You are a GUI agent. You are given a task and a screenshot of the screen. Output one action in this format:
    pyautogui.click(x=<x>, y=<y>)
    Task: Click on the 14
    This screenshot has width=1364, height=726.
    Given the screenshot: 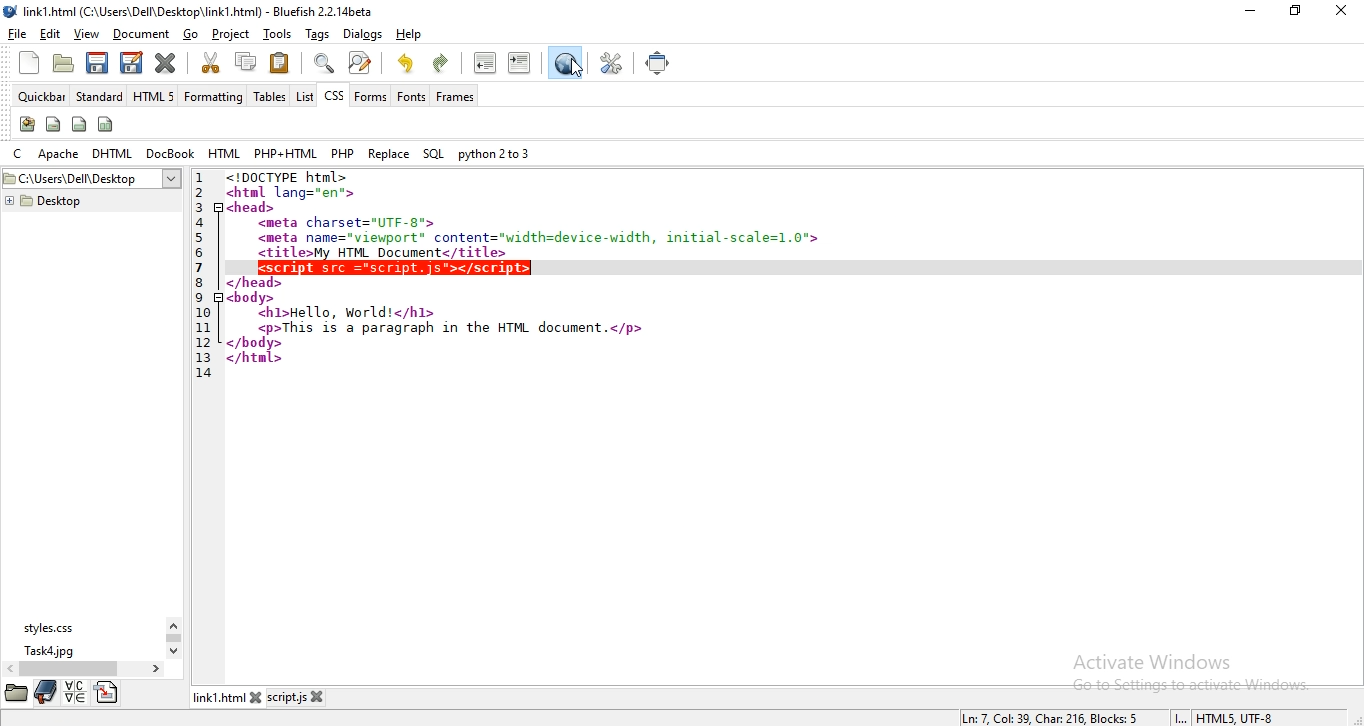 What is the action you would take?
    pyautogui.click(x=204, y=374)
    